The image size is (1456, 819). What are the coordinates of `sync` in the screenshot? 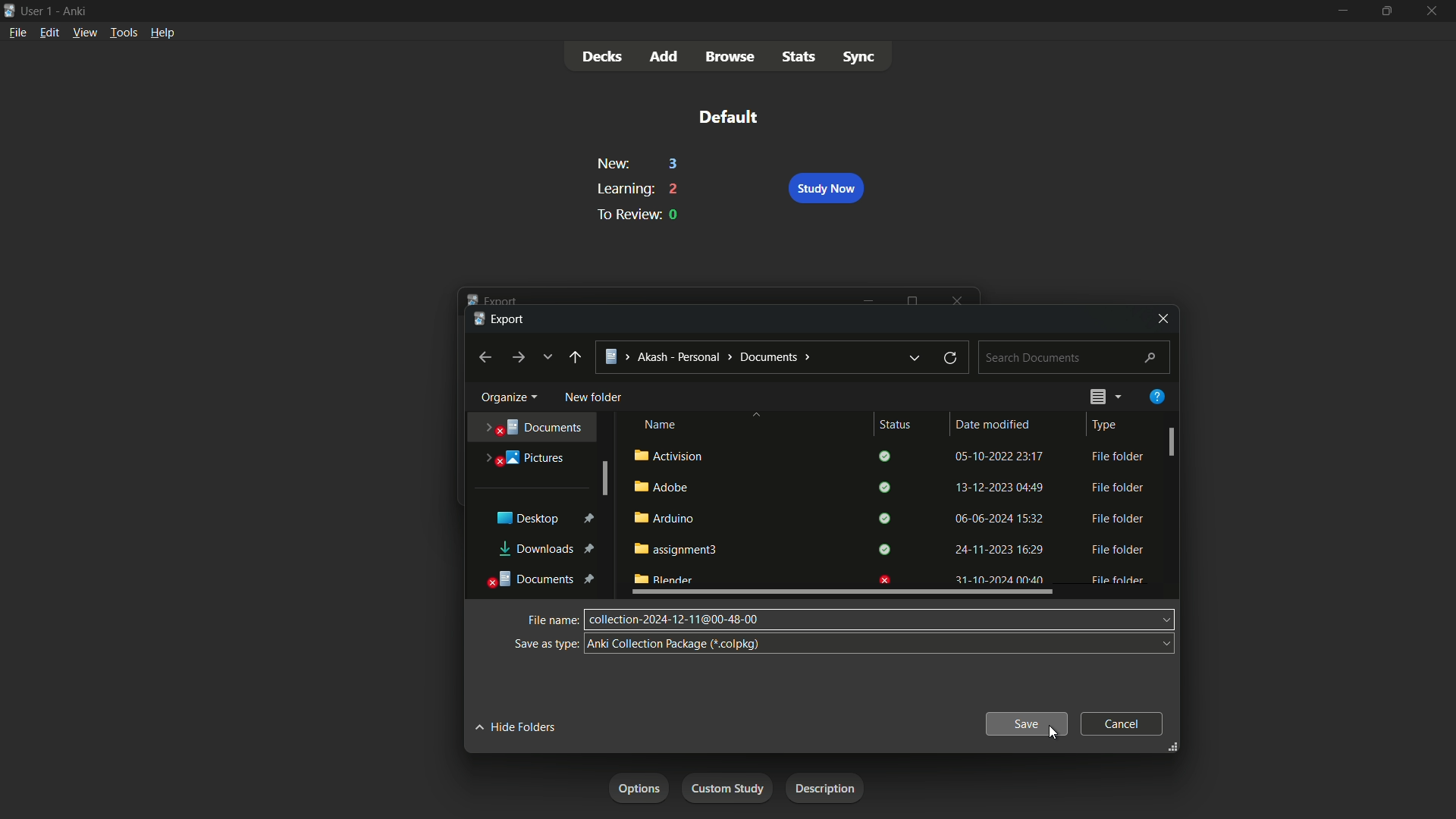 It's located at (858, 55).